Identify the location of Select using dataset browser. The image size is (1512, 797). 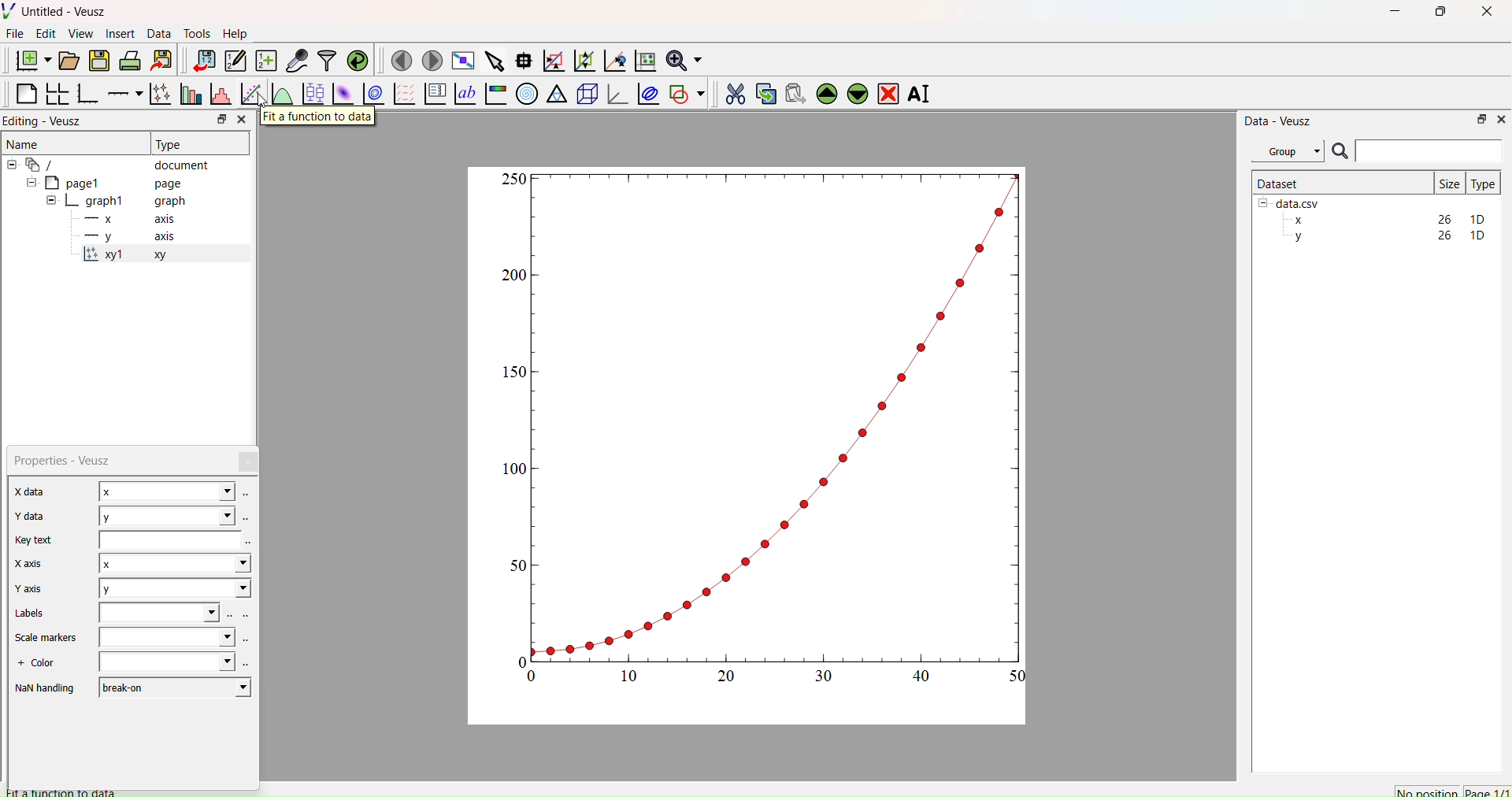
(253, 541).